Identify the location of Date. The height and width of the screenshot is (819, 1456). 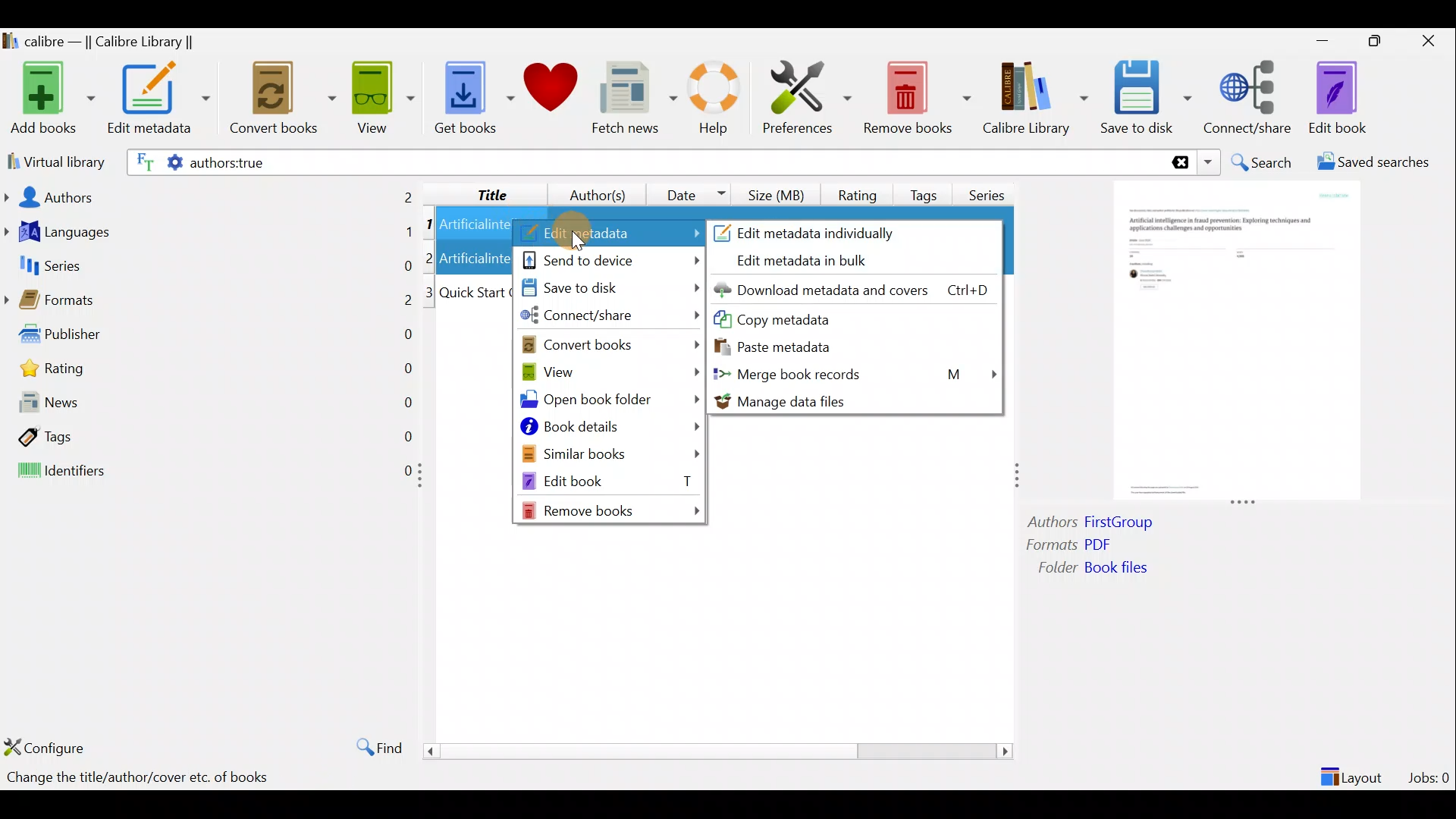
(689, 194).